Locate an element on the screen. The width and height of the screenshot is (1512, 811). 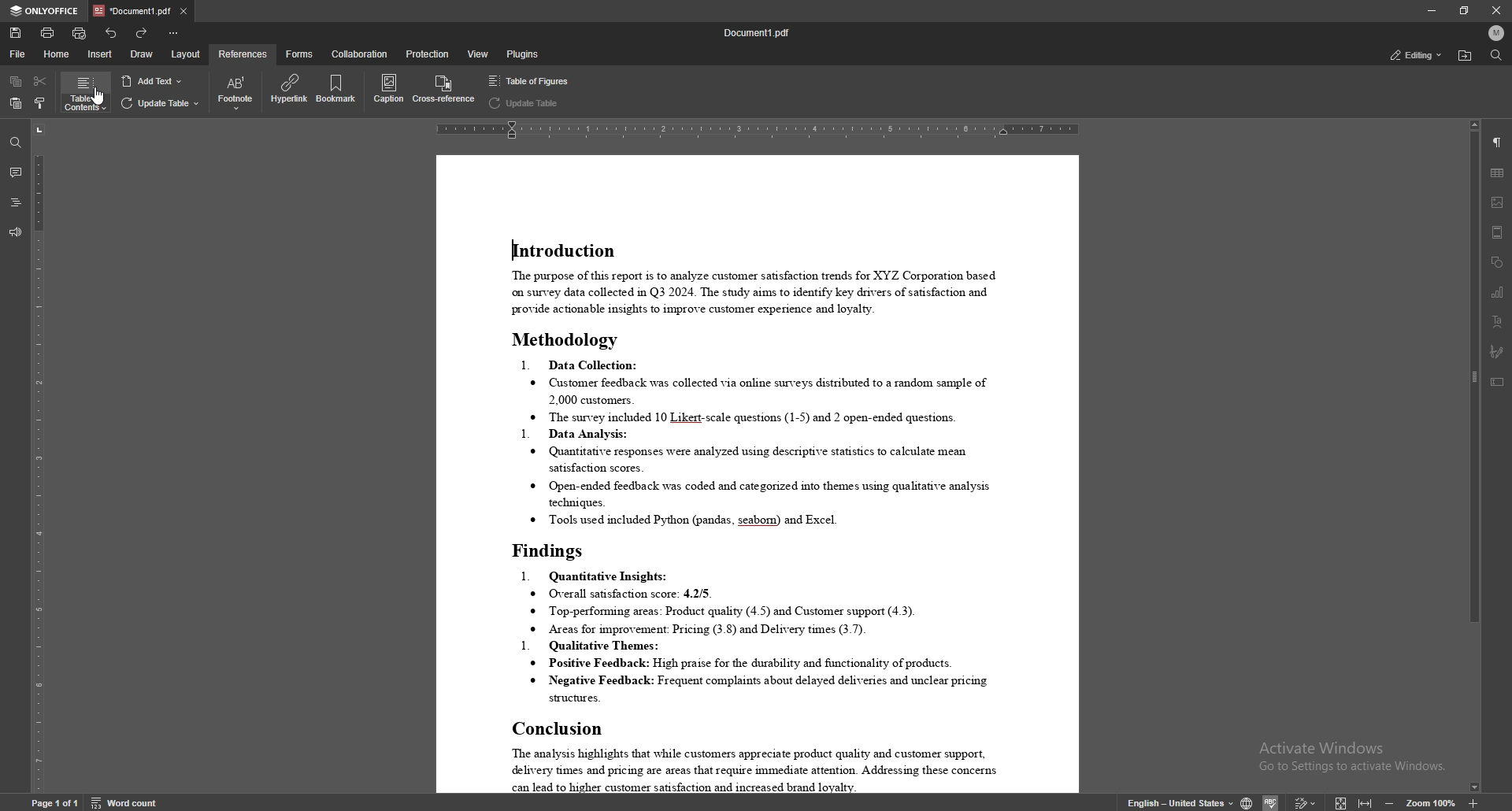
undo is located at coordinates (113, 33).